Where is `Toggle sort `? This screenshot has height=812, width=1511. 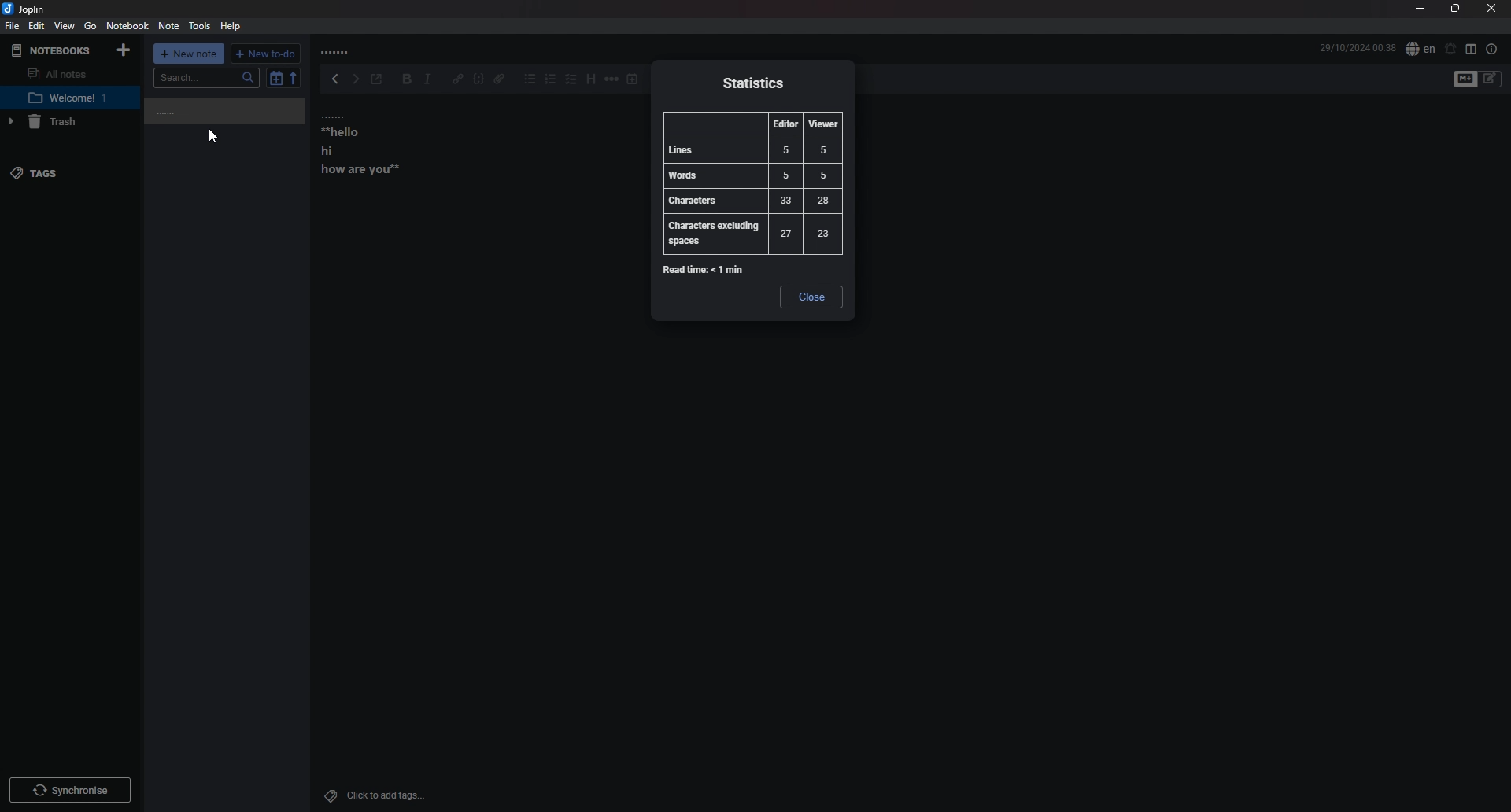
Toggle sort  is located at coordinates (276, 78).